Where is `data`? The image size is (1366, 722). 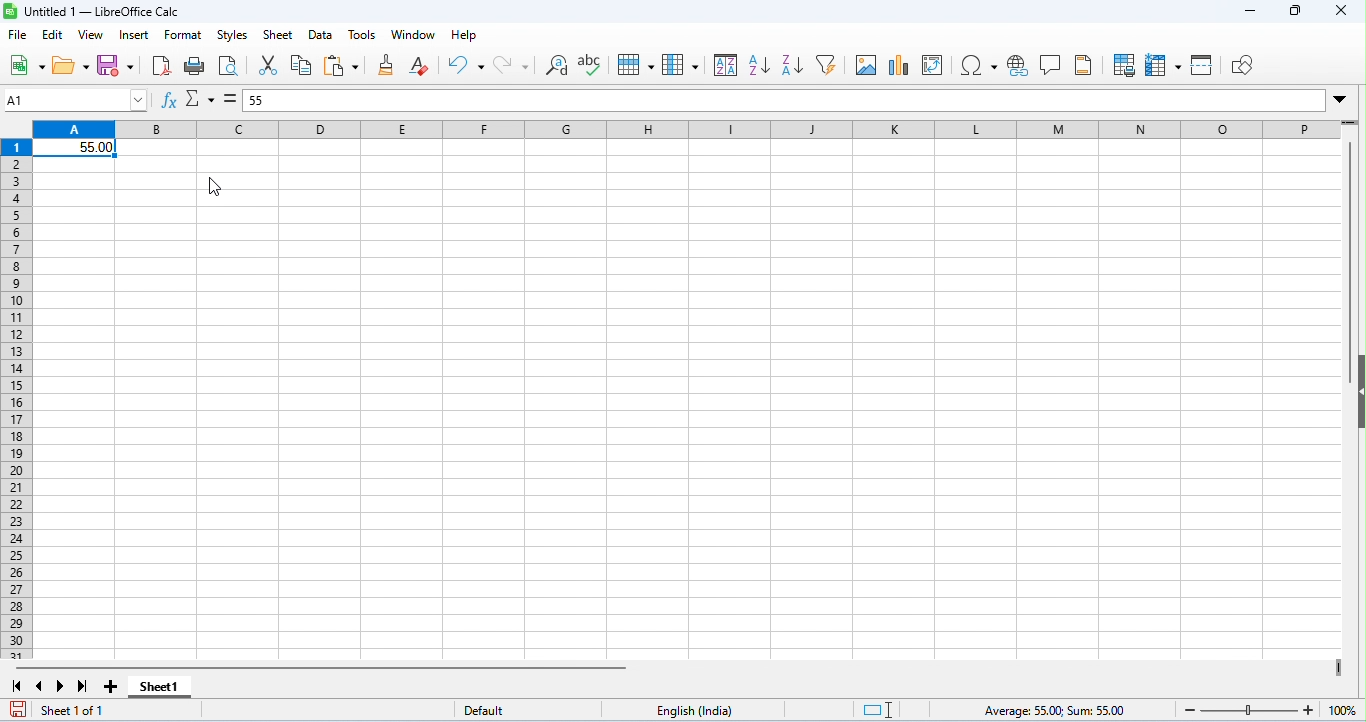 data is located at coordinates (320, 37).